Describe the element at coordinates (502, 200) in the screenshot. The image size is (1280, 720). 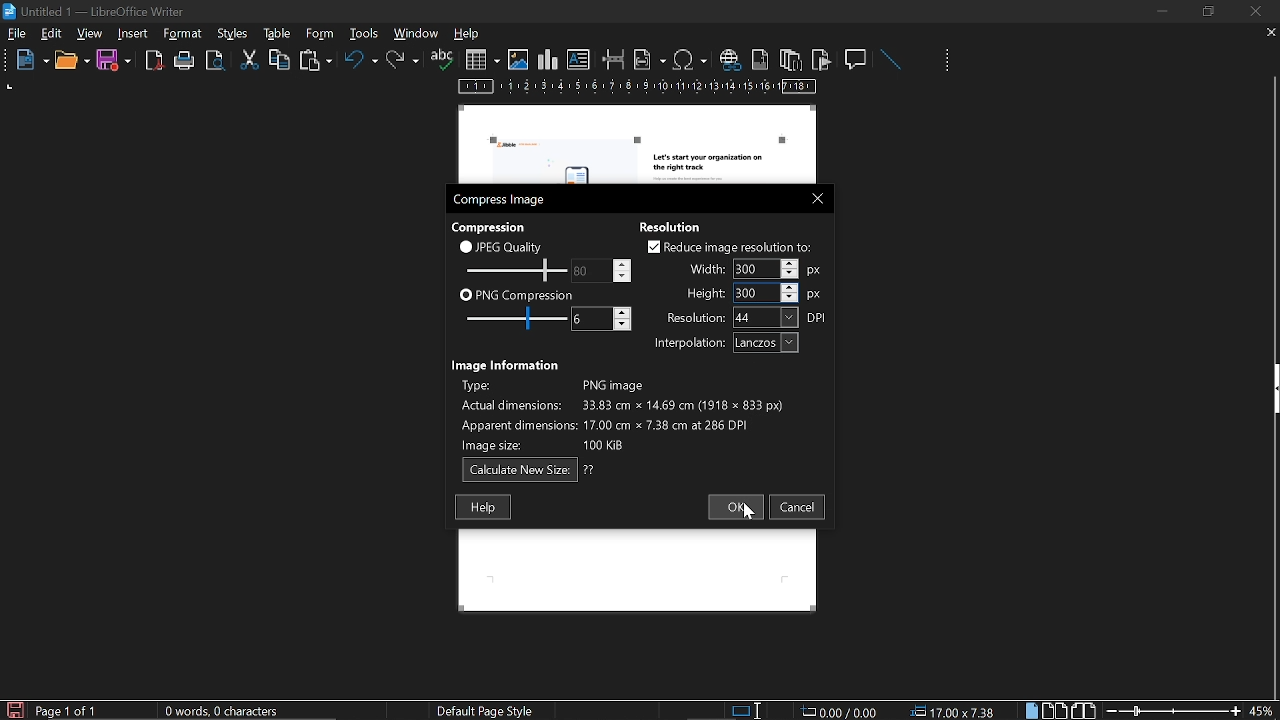
I see `compress image` at that location.